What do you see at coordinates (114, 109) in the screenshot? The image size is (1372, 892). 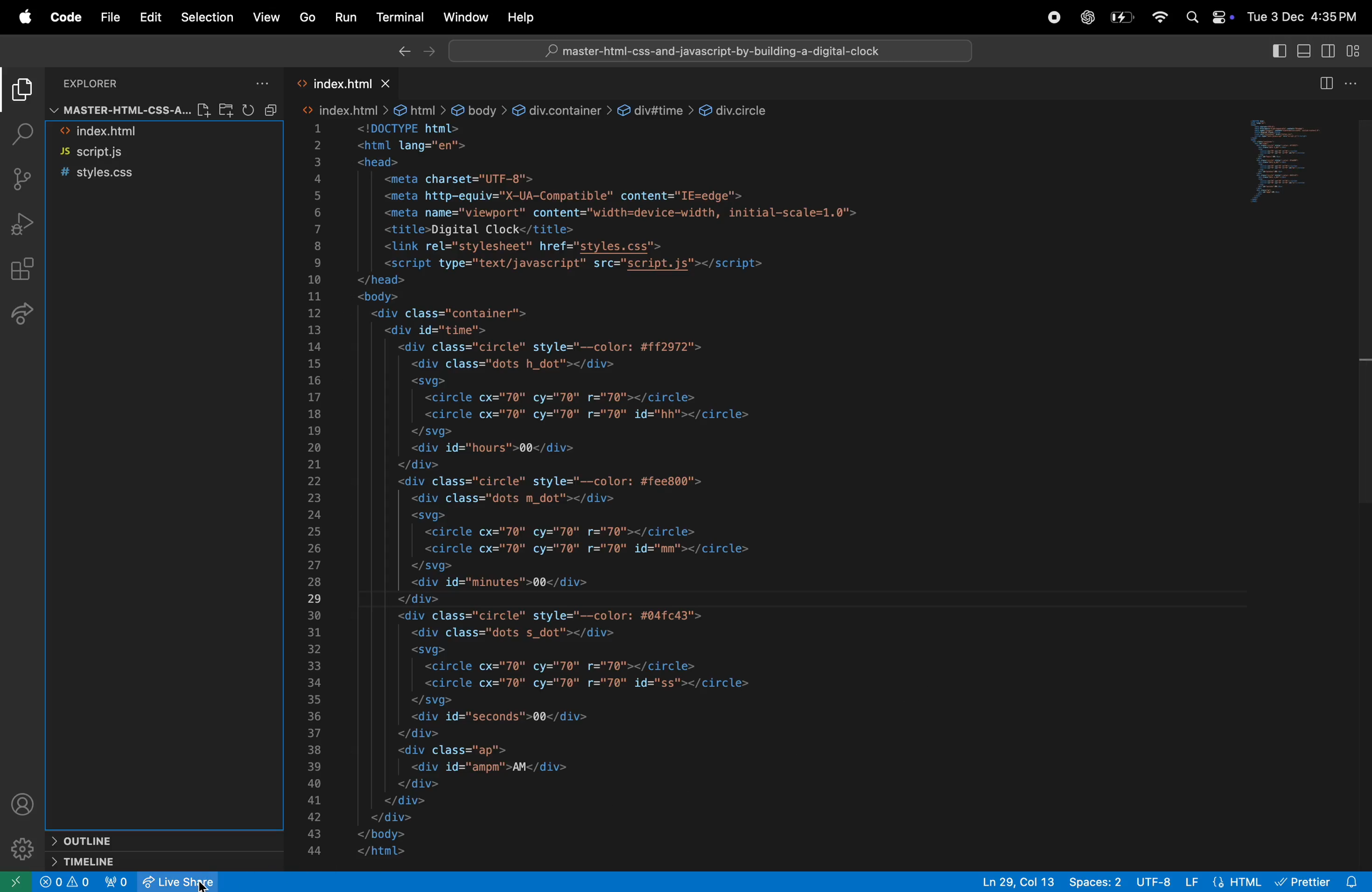 I see `master file` at bounding box center [114, 109].